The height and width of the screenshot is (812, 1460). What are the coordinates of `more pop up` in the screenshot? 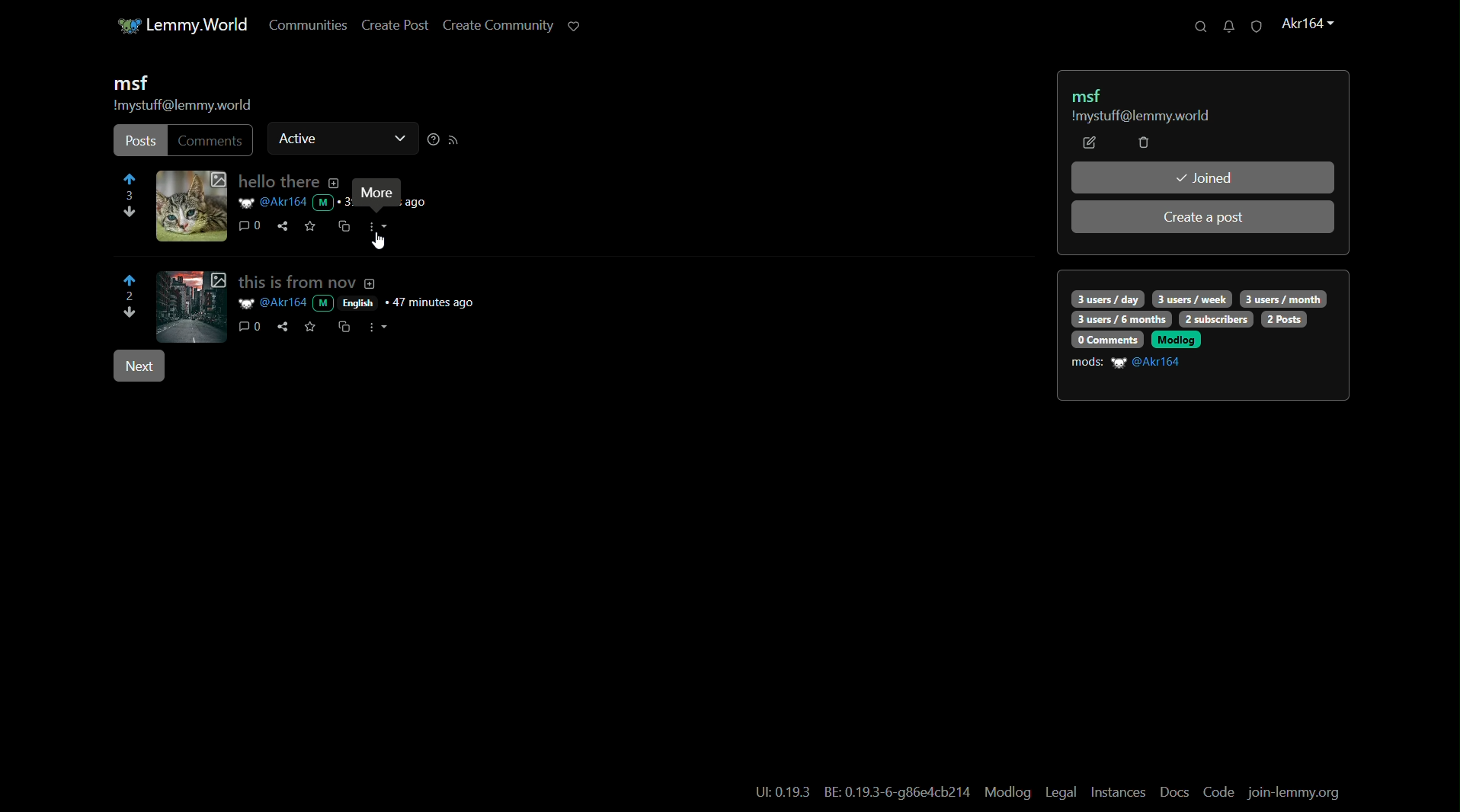 It's located at (376, 193).